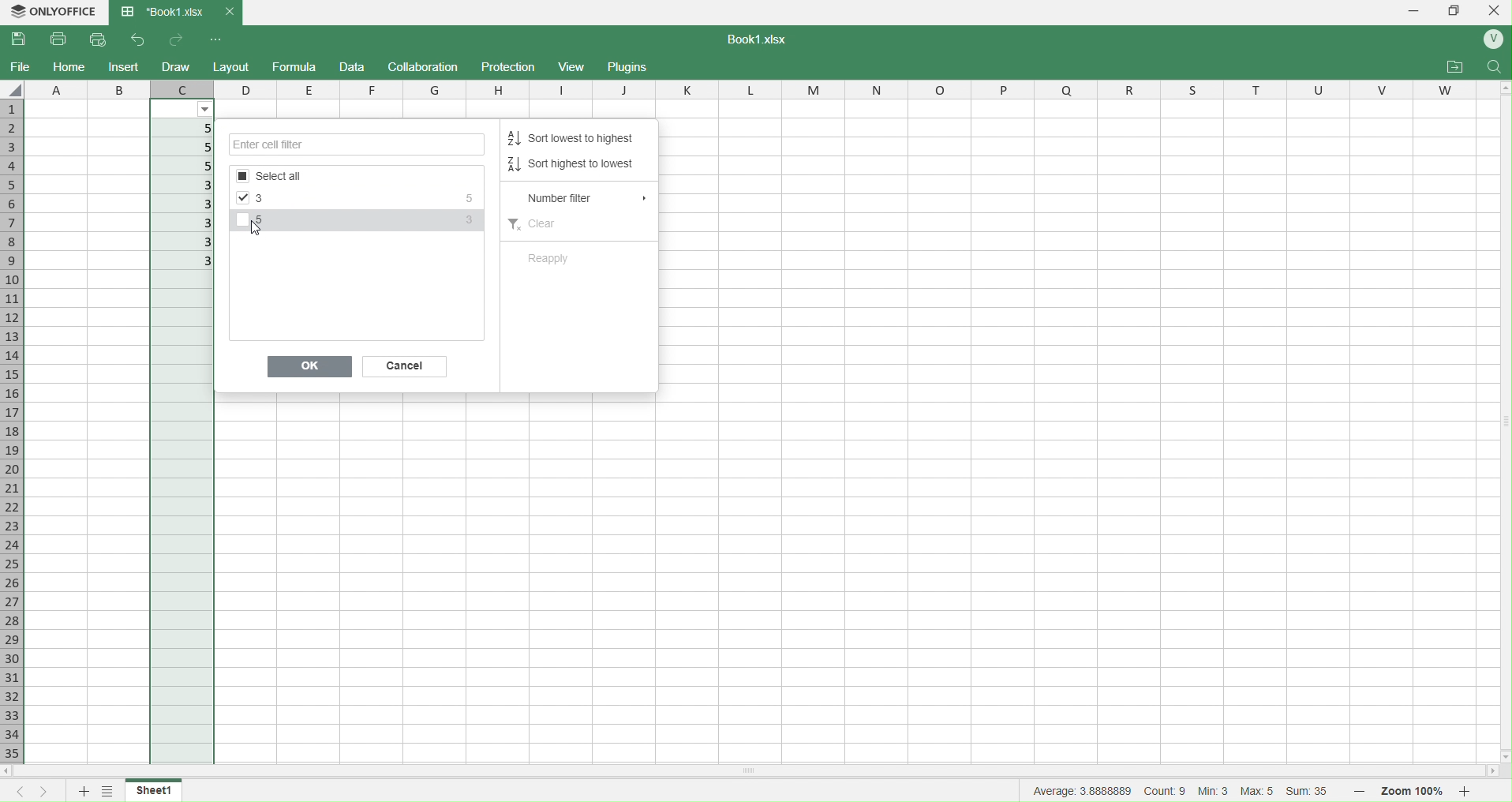  I want to click on Options, so click(346, 177).